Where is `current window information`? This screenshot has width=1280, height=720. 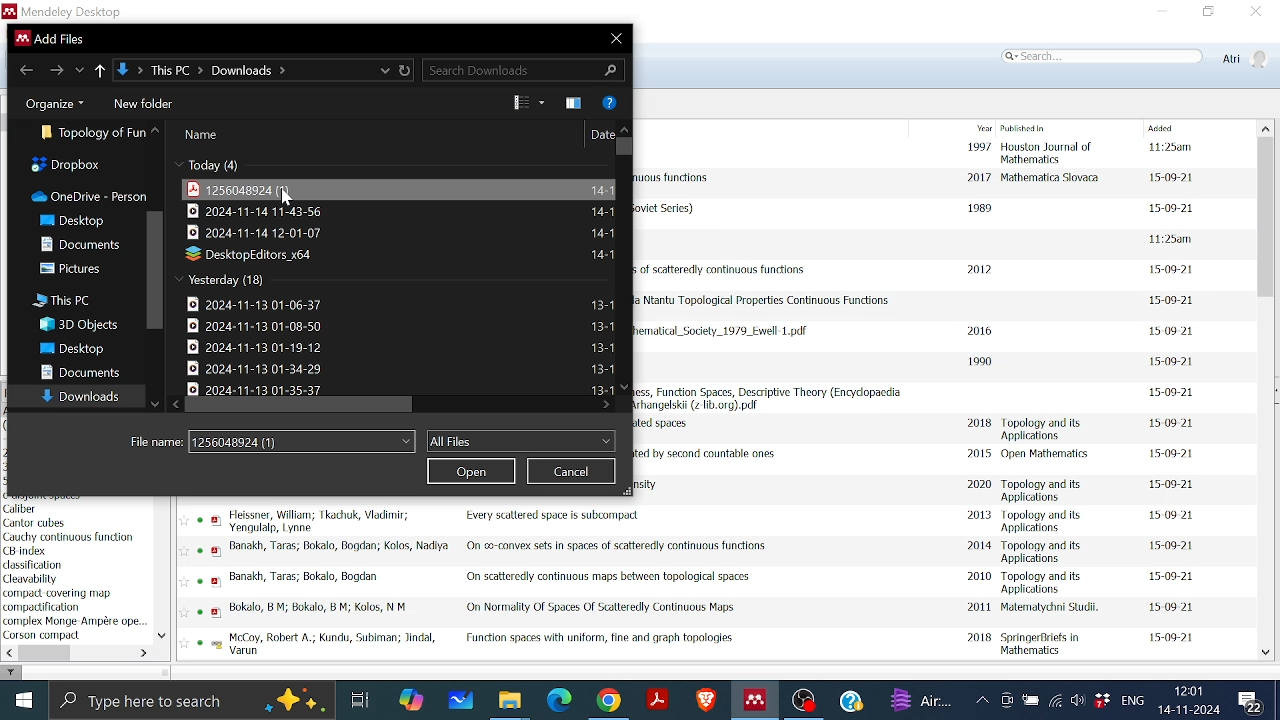
current window information is located at coordinates (52, 38).